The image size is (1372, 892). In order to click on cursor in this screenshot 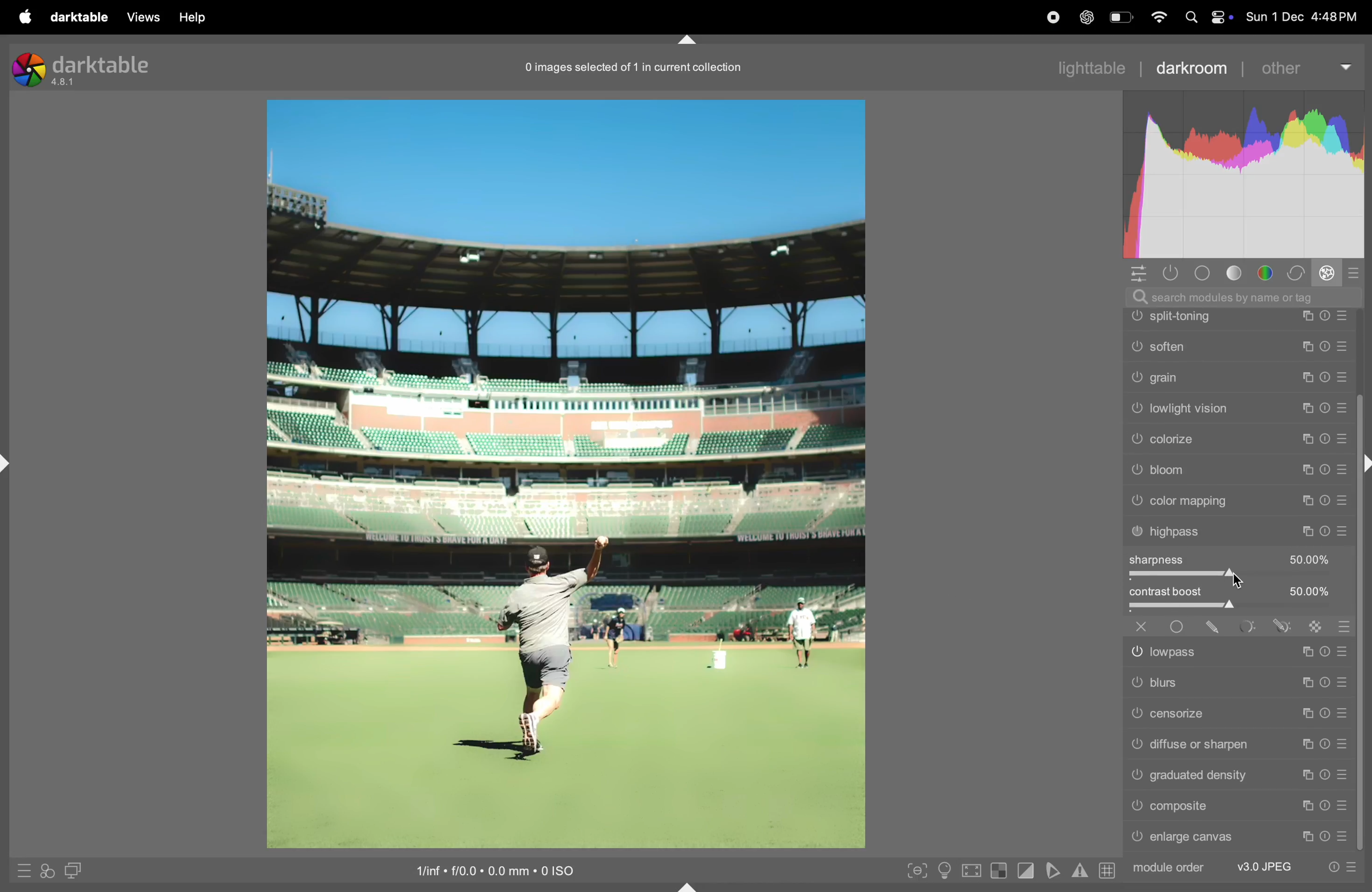, I will do `click(1238, 580)`.